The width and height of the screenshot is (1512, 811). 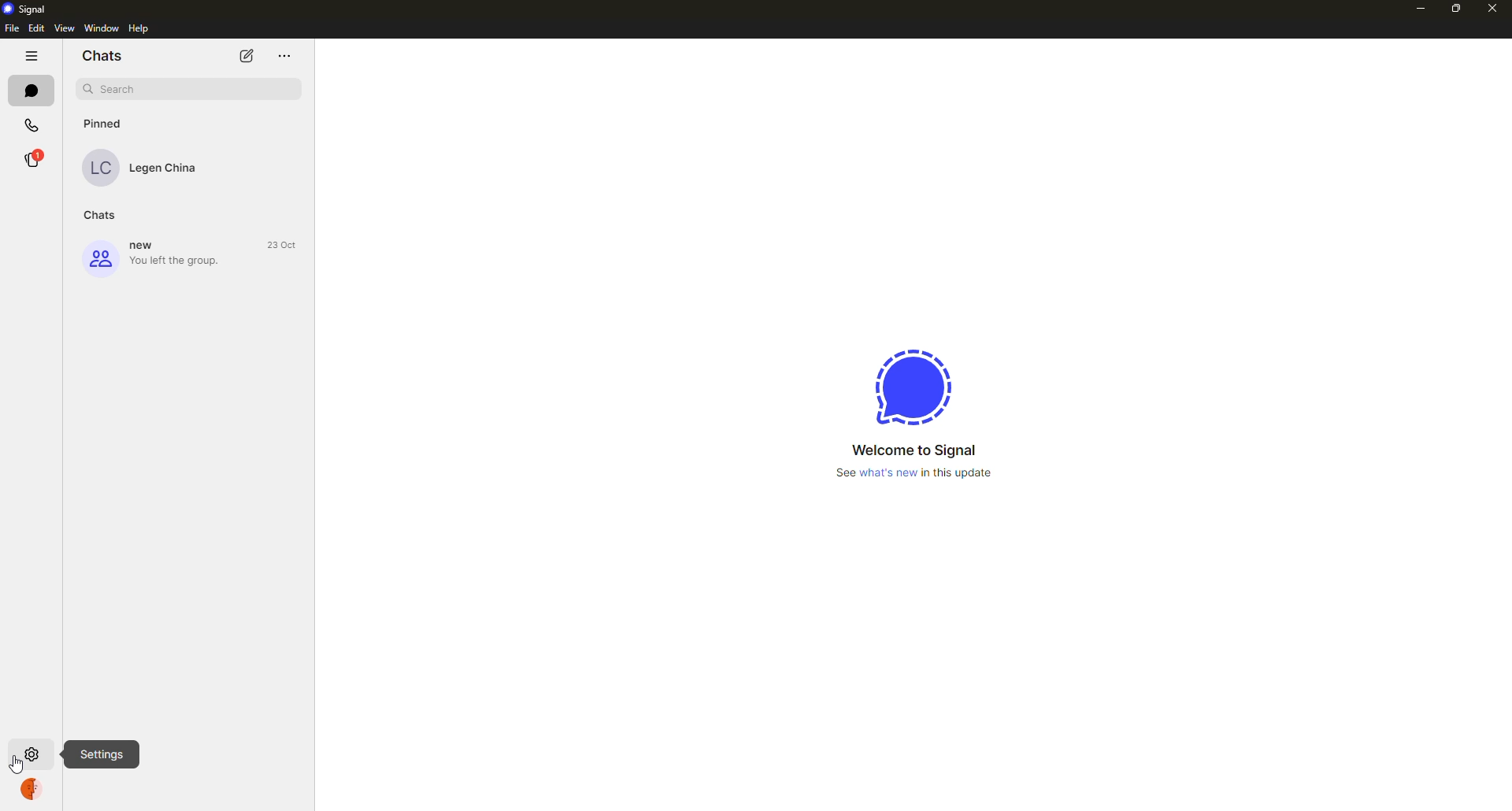 What do you see at coordinates (1494, 9) in the screenshot?
I see `close` at bounding box center [1494, 9].